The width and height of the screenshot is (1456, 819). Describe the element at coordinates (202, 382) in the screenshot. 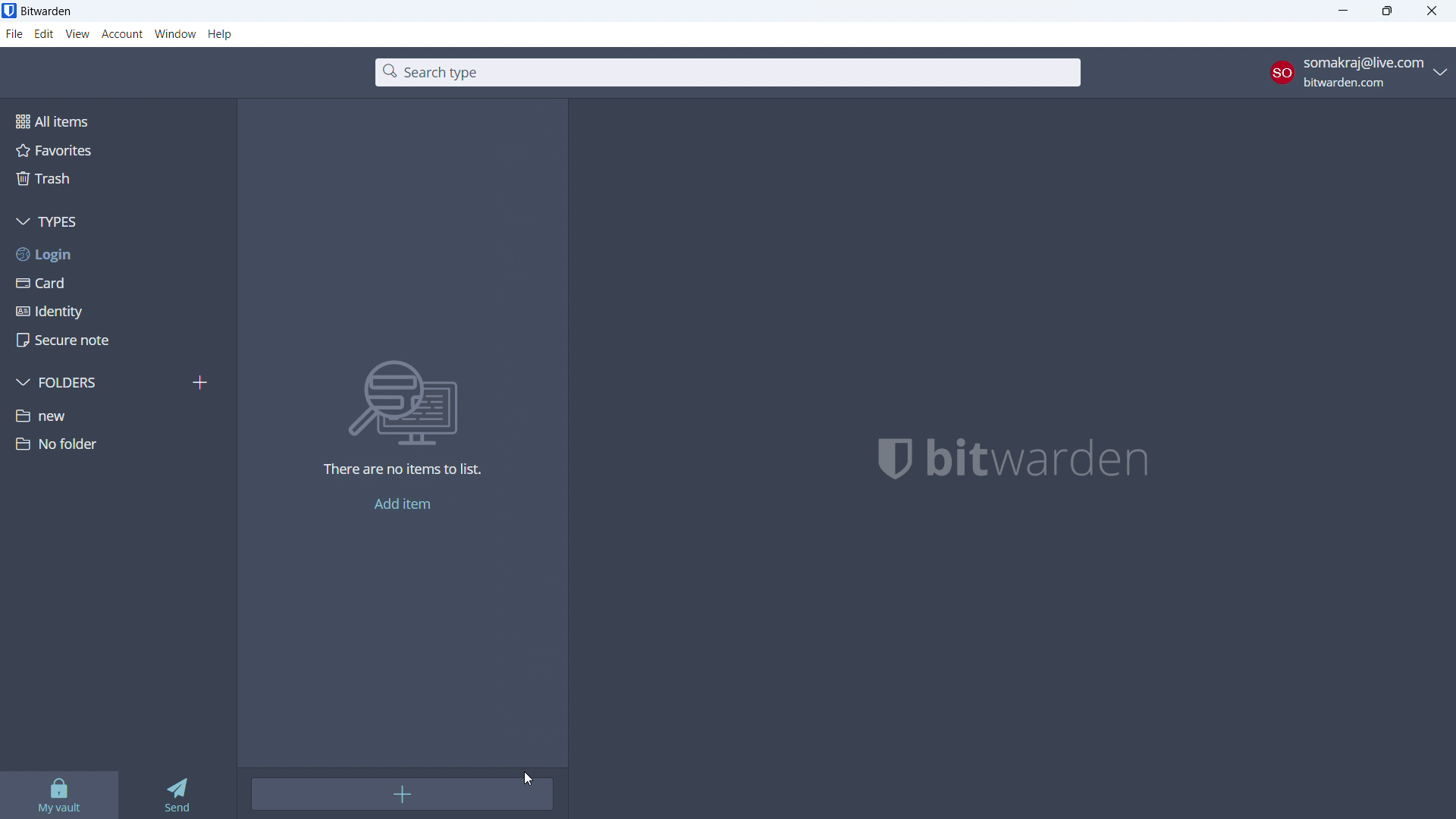

I see `add folder` at that location.